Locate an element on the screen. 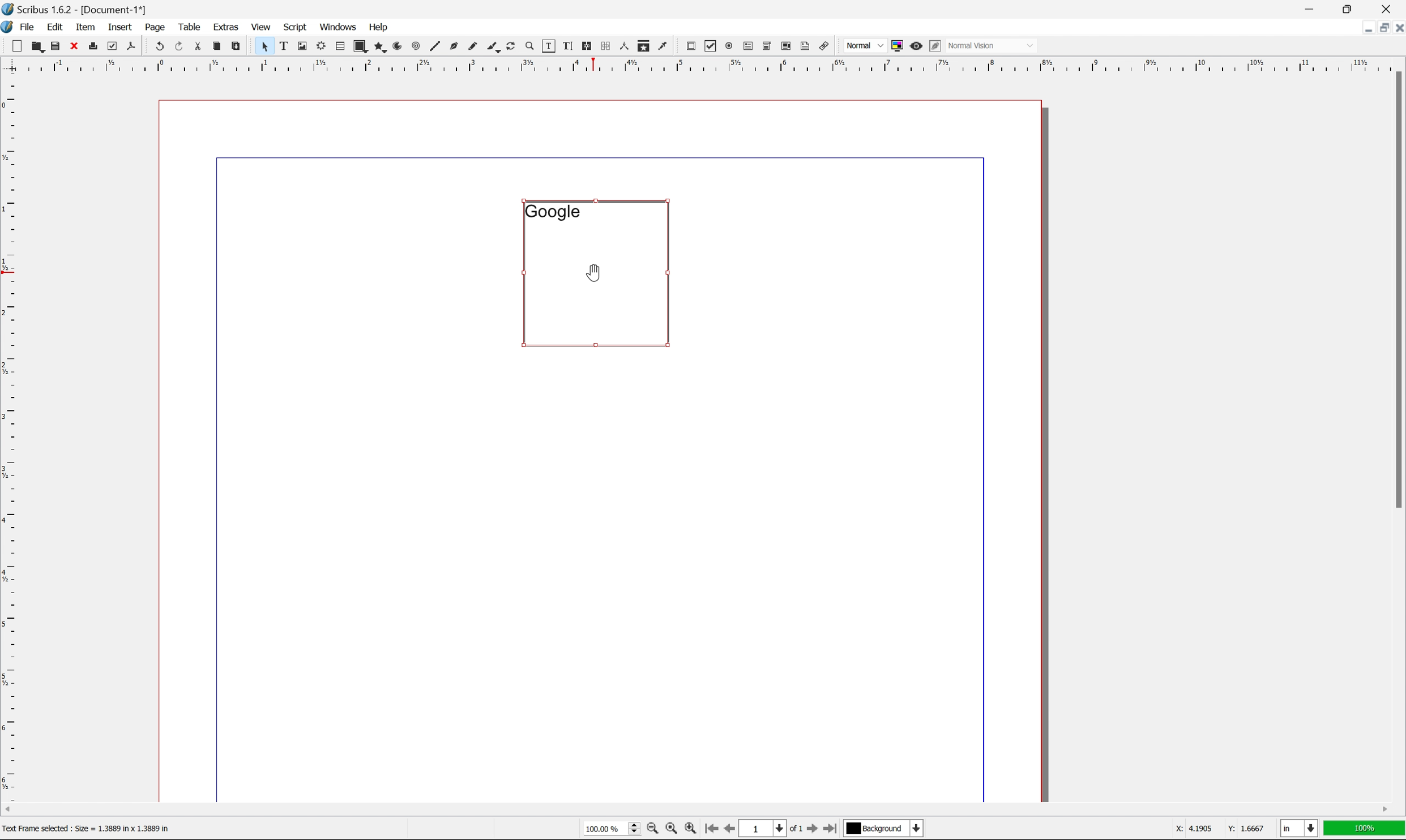  windows is located at coordinates (340, 26).